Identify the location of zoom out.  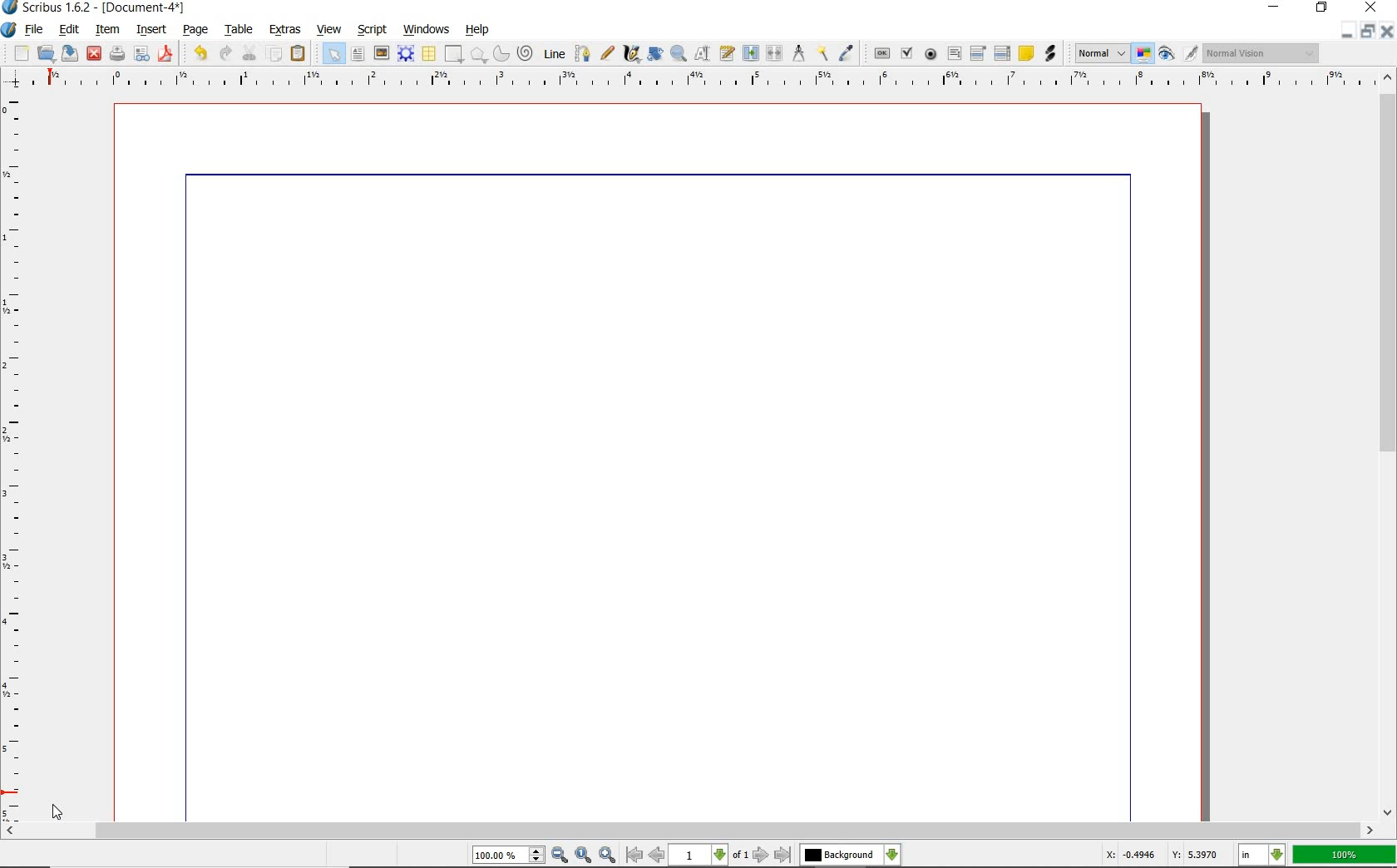
(560, 856).